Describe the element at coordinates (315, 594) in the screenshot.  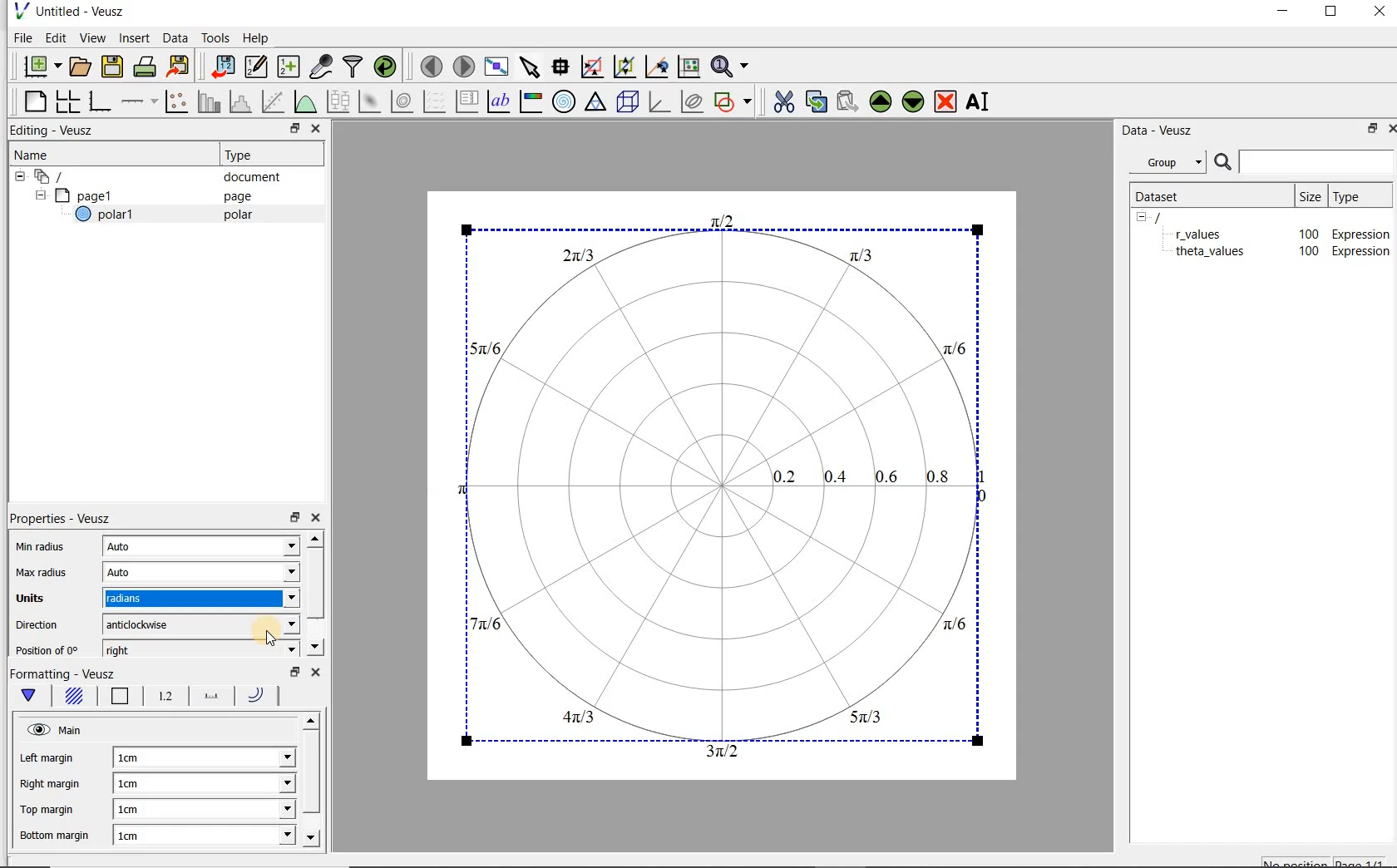
I see `scroll bar` at that location.